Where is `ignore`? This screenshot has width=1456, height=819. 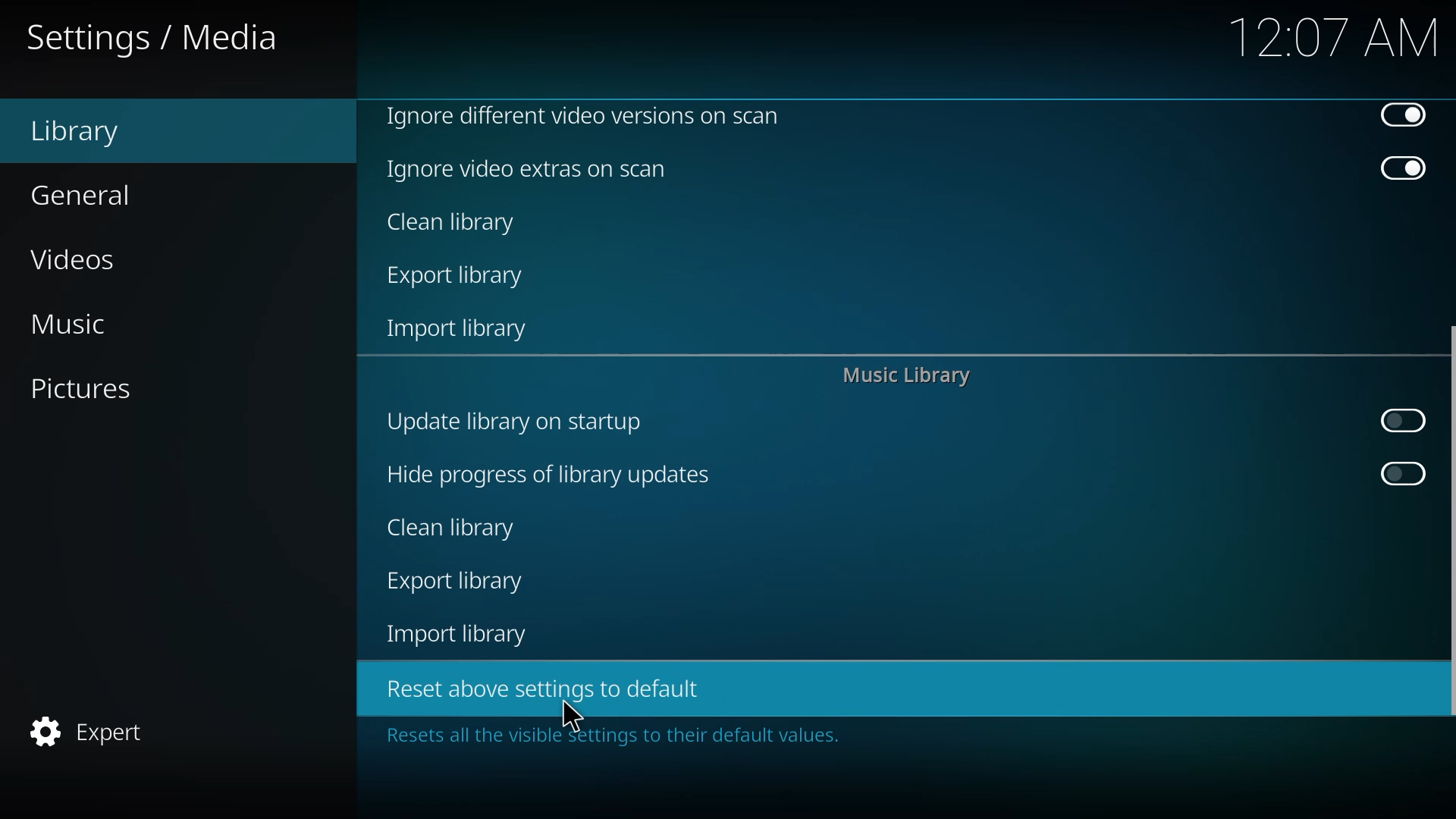 ignore is located at coordinates (529, 169).